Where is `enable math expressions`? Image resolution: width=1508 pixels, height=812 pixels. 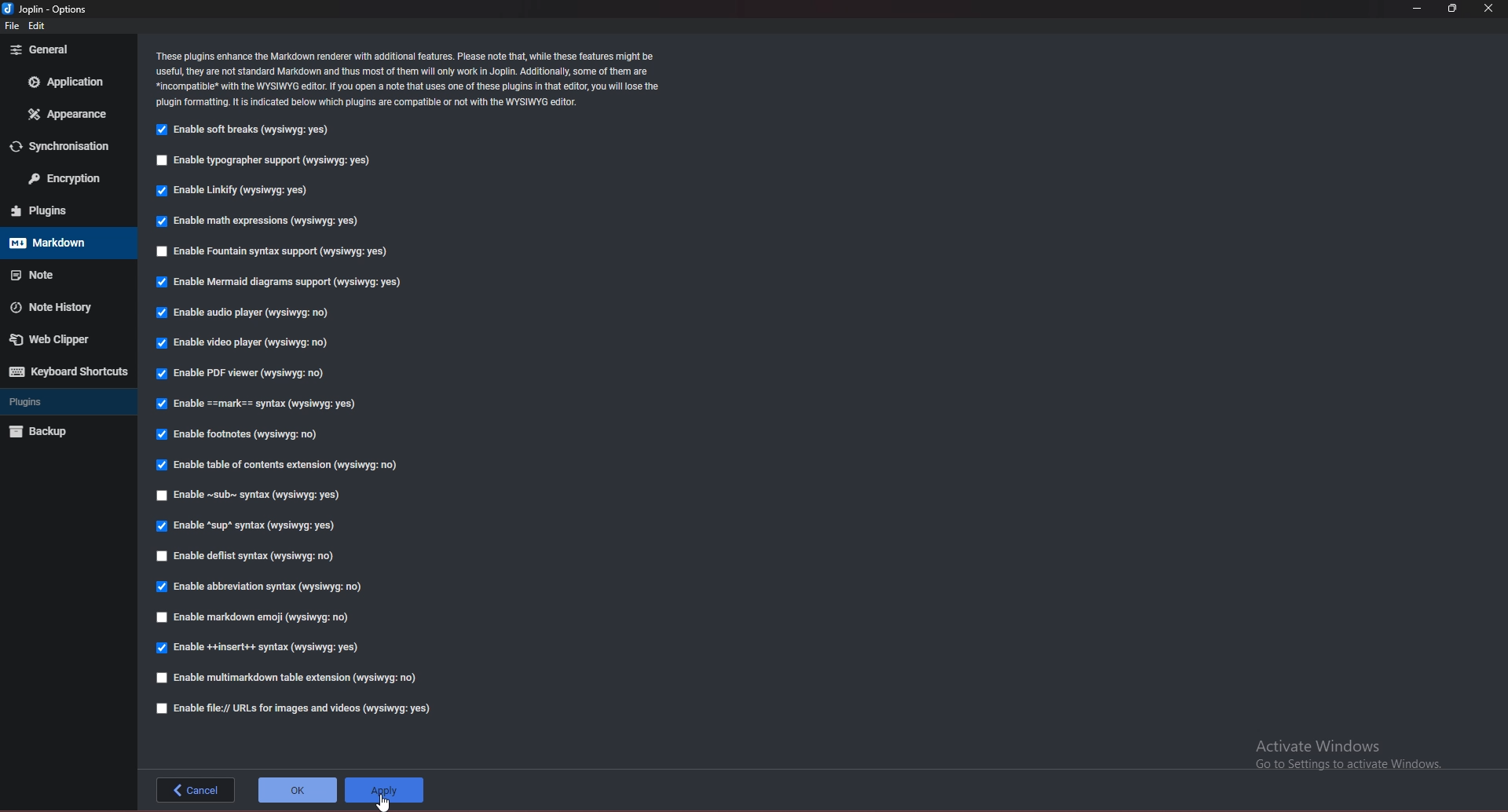 enable math expressions is located at coordinates (256, 221).